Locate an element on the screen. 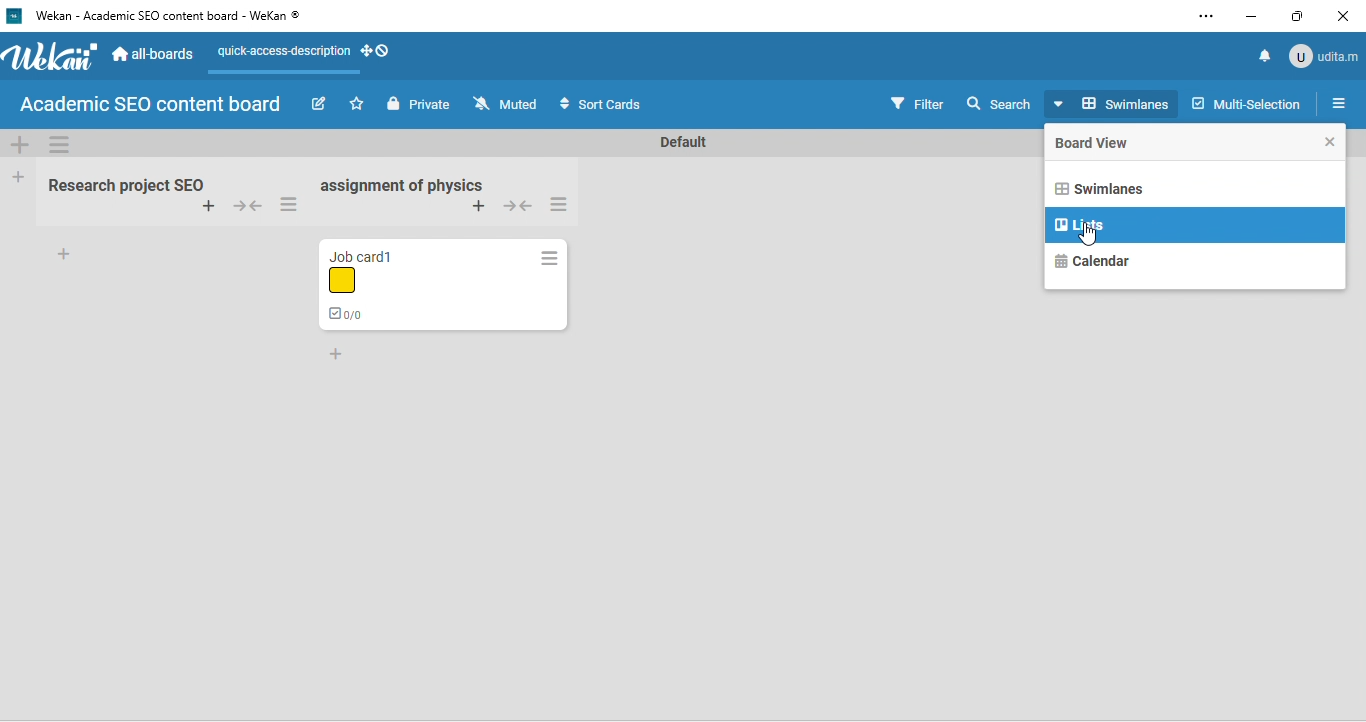 Image resolution: width=1366 pixels, height=722 pixels. minimize is located at coordinates (1246, 18).